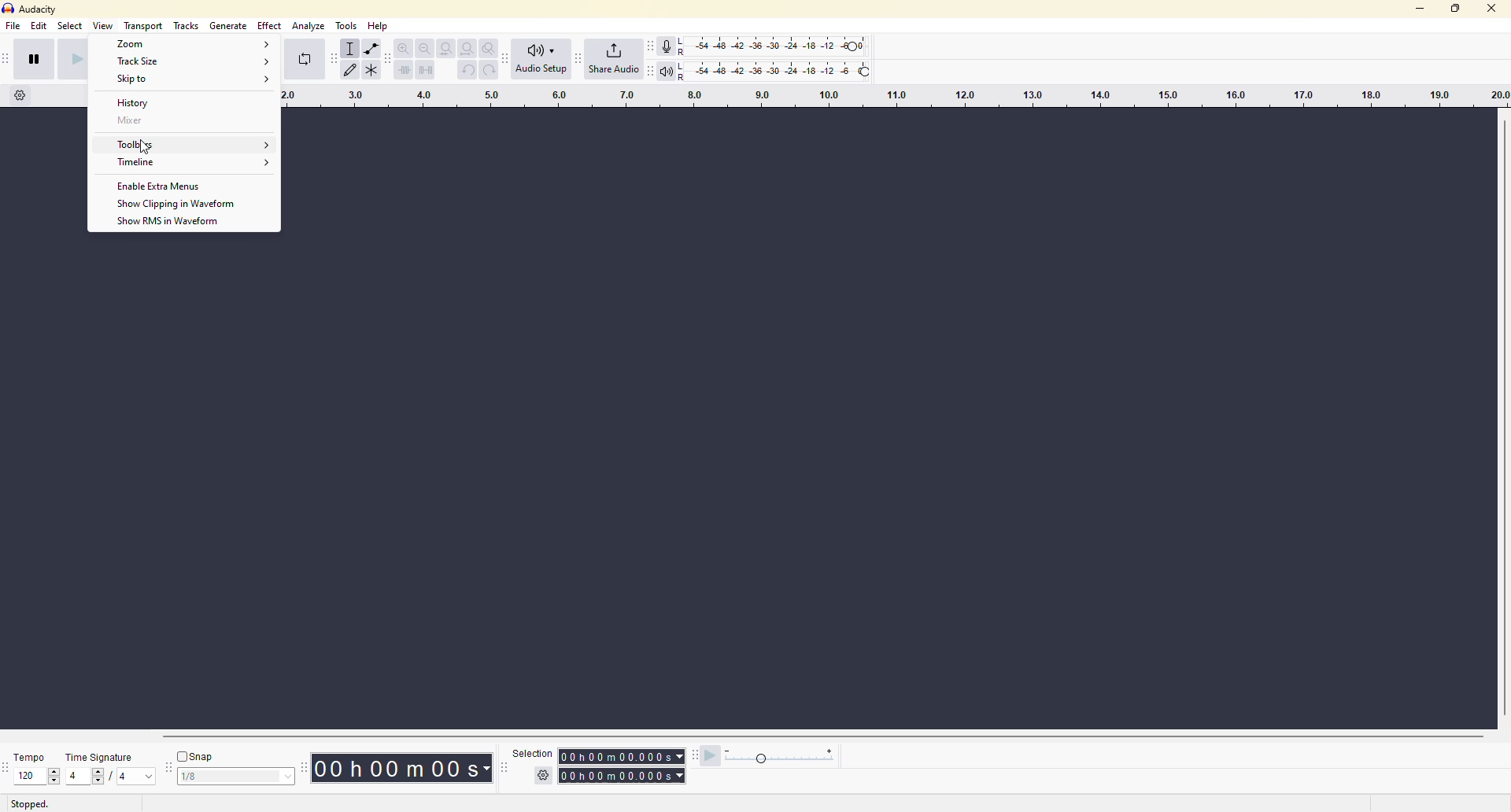  I want to click on values, so click(53, 776).